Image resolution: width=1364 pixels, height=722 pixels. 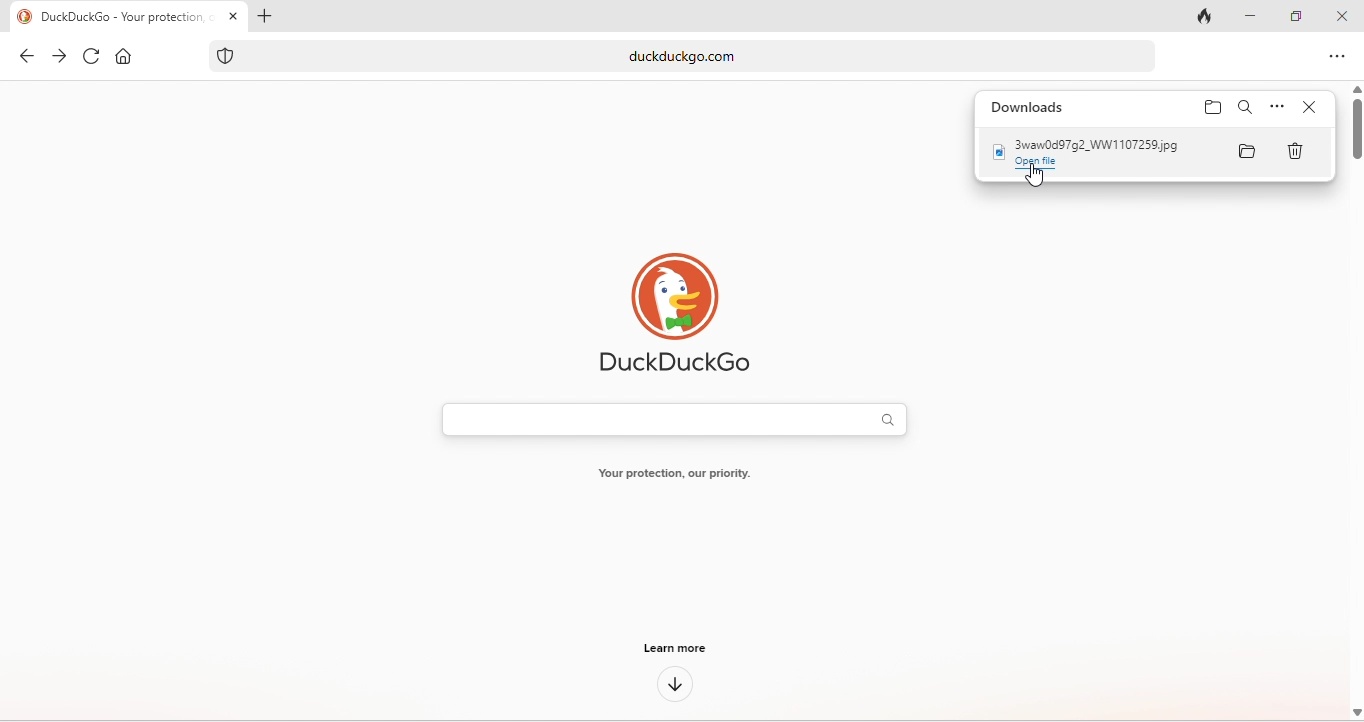 What do you see at coordinates (1299, 153) in the screenshot?
I see `delete` at bounding box center [1299, 153].